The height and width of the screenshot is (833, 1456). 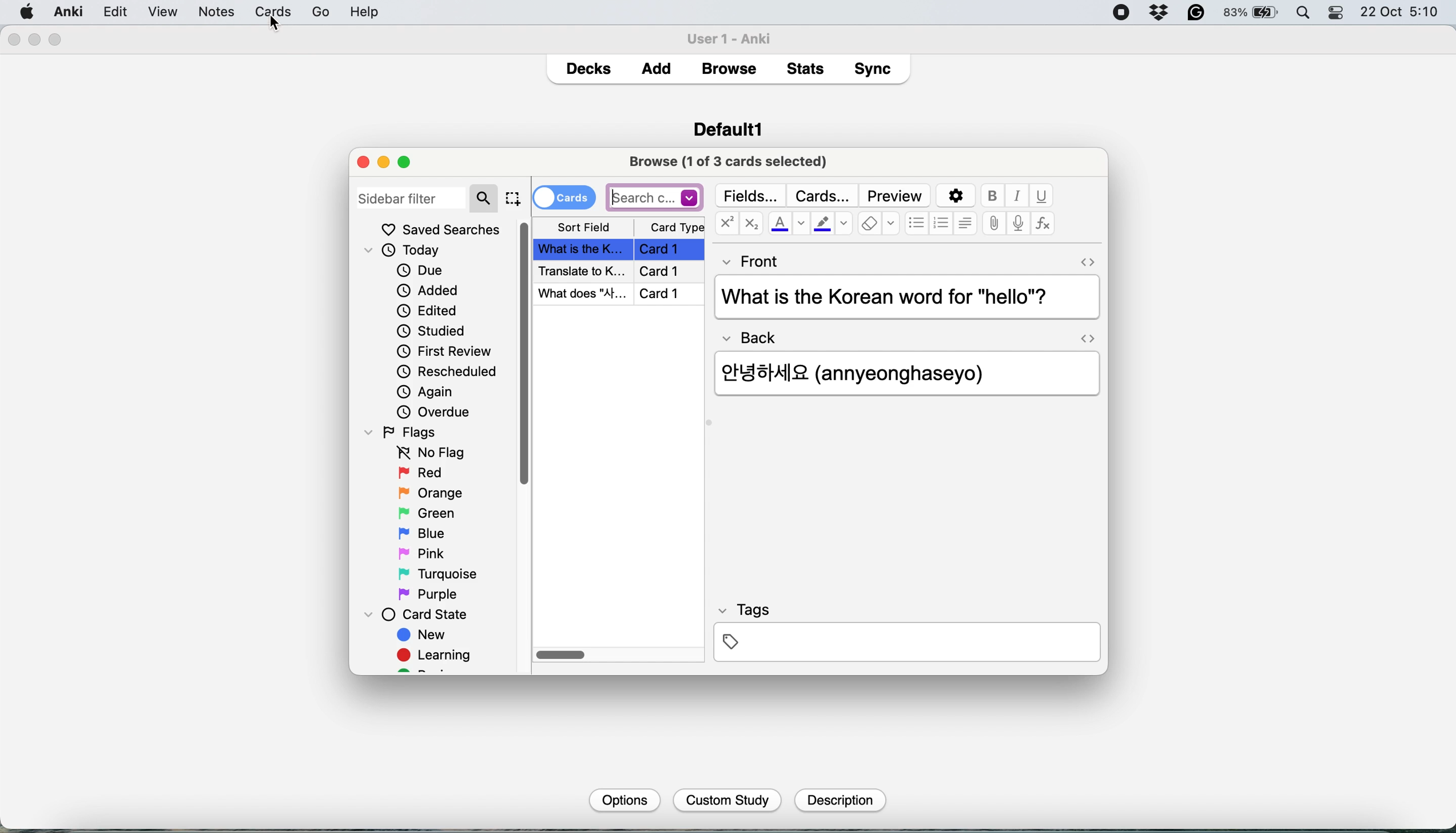 I want to click on again, so click(x=425, y=392).